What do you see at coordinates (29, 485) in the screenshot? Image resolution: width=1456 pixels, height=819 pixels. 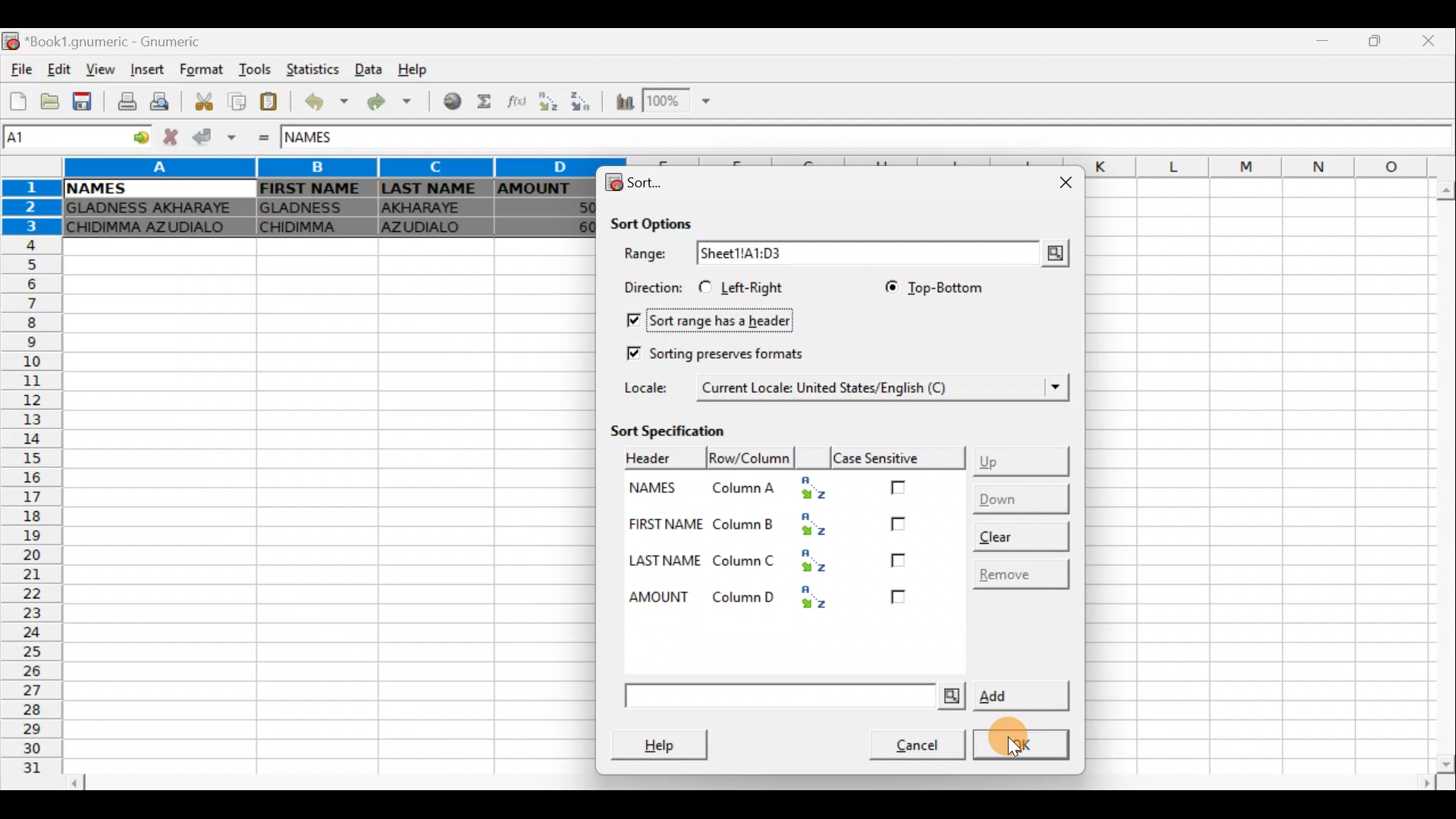 I see `Rows` at bounding box center [29, 485].